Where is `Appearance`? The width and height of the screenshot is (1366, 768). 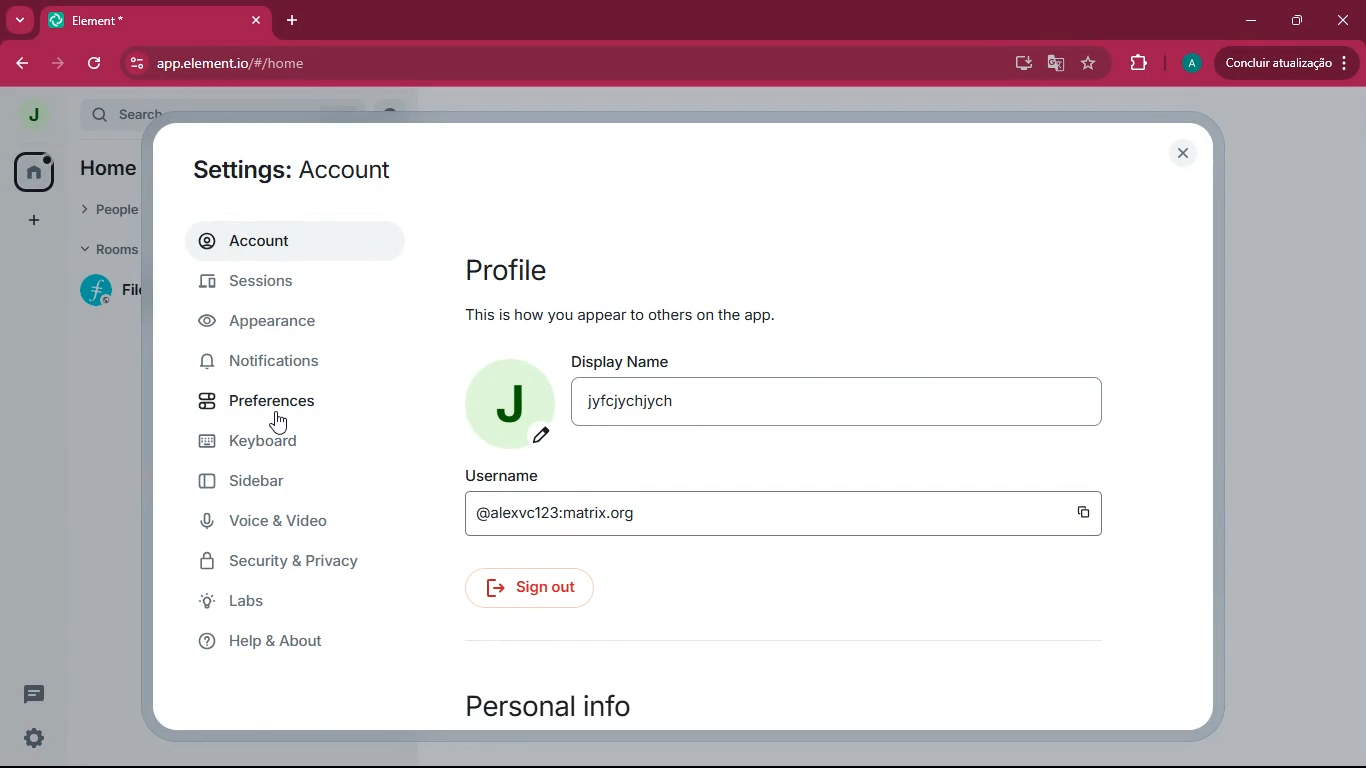
Appearance is located at coordinates (265, 327).